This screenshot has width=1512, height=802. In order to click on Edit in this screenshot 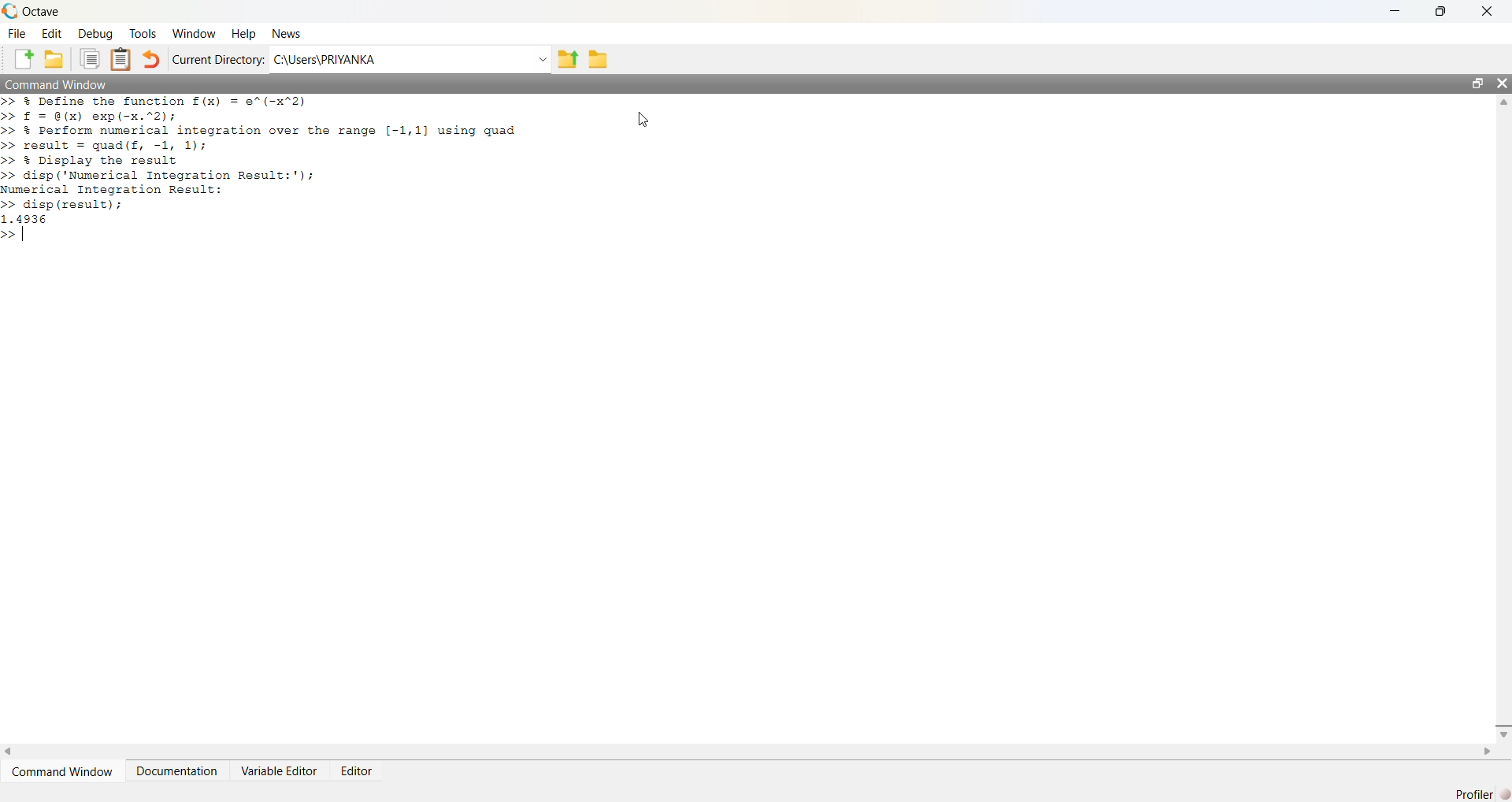, I will do `click(53, 33)`.